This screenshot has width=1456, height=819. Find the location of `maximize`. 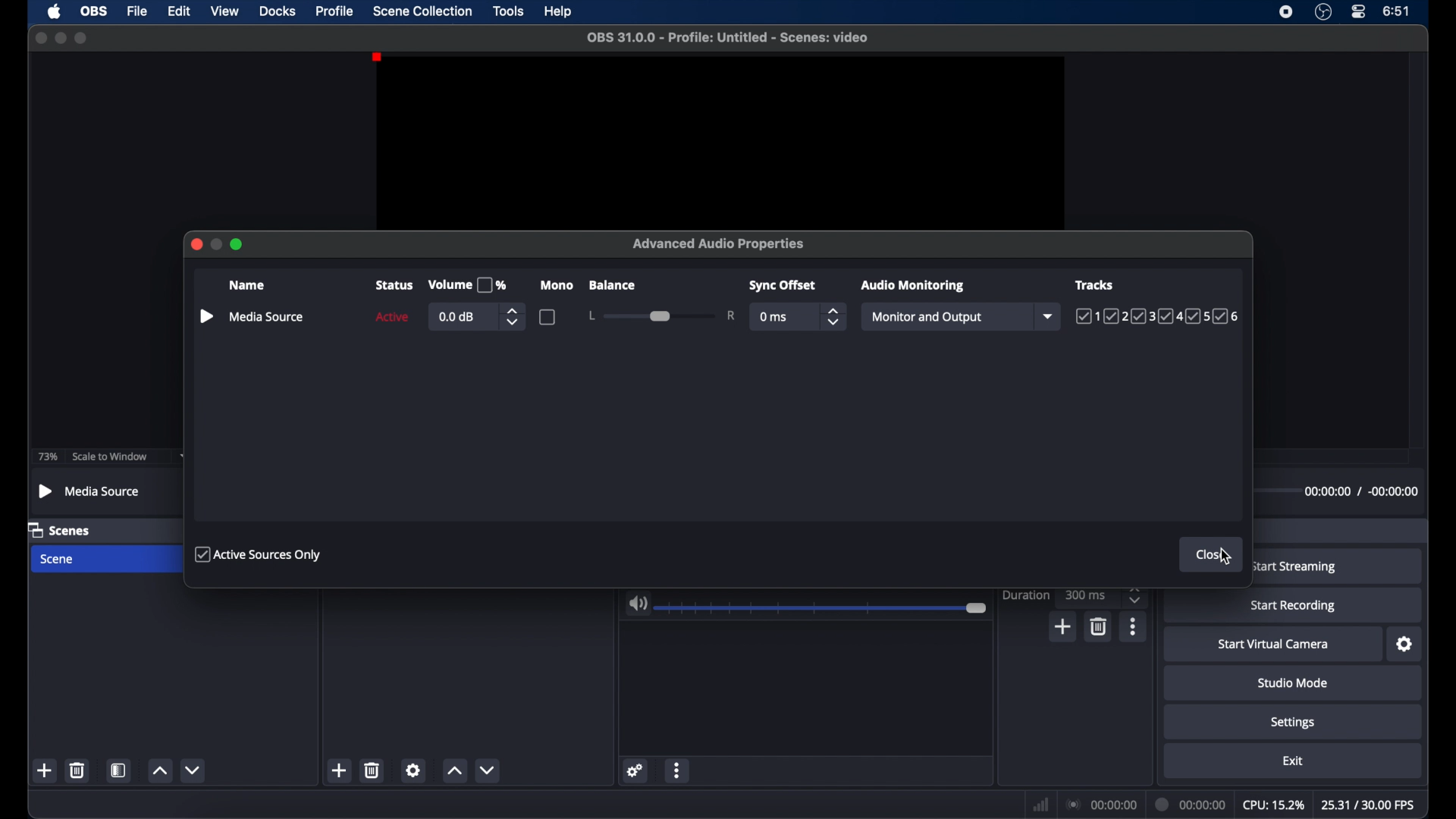

maximize is located at coordinates (82, 38).